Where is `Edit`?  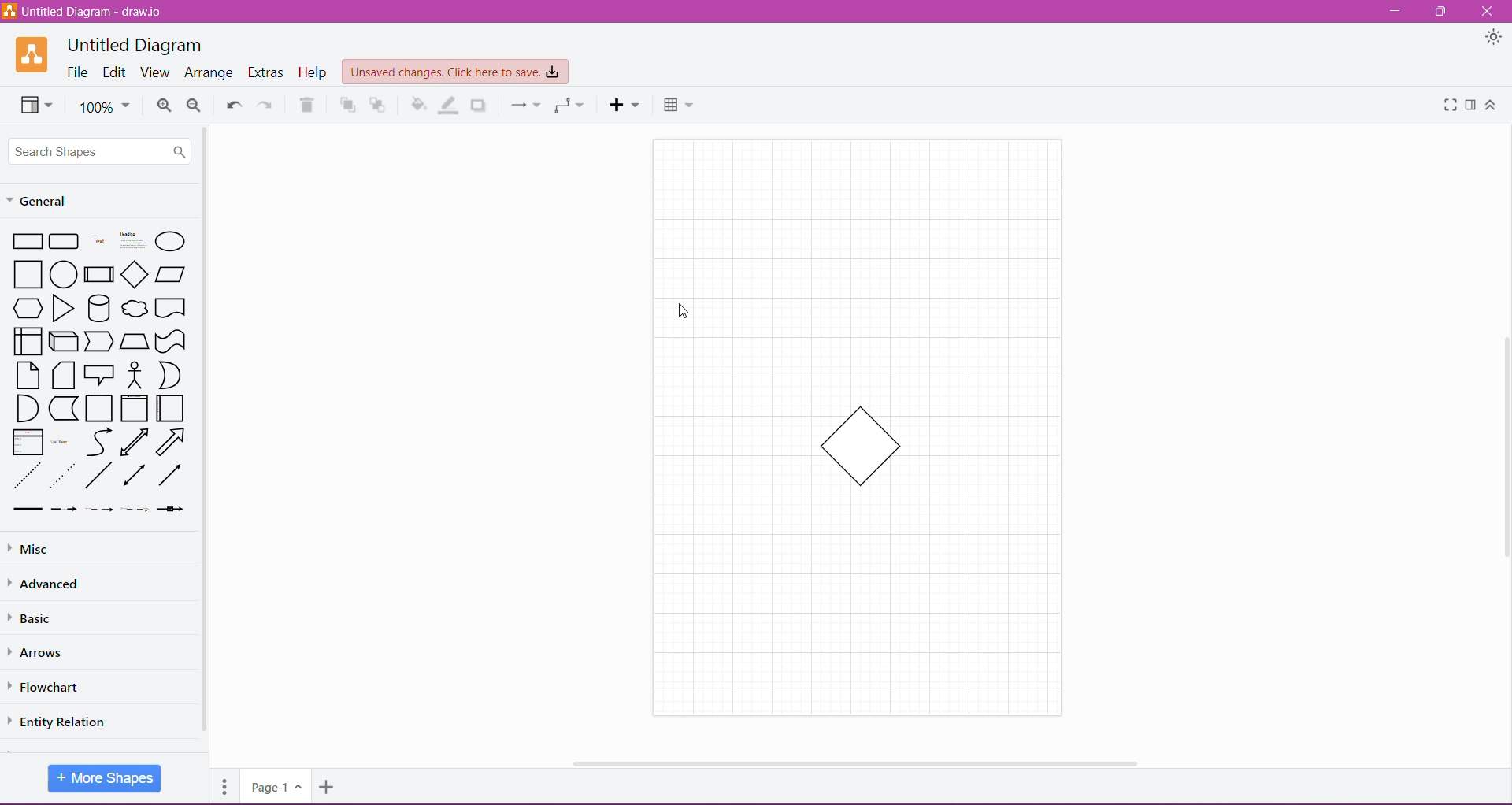 Edit is located at coordinates (117, 72).